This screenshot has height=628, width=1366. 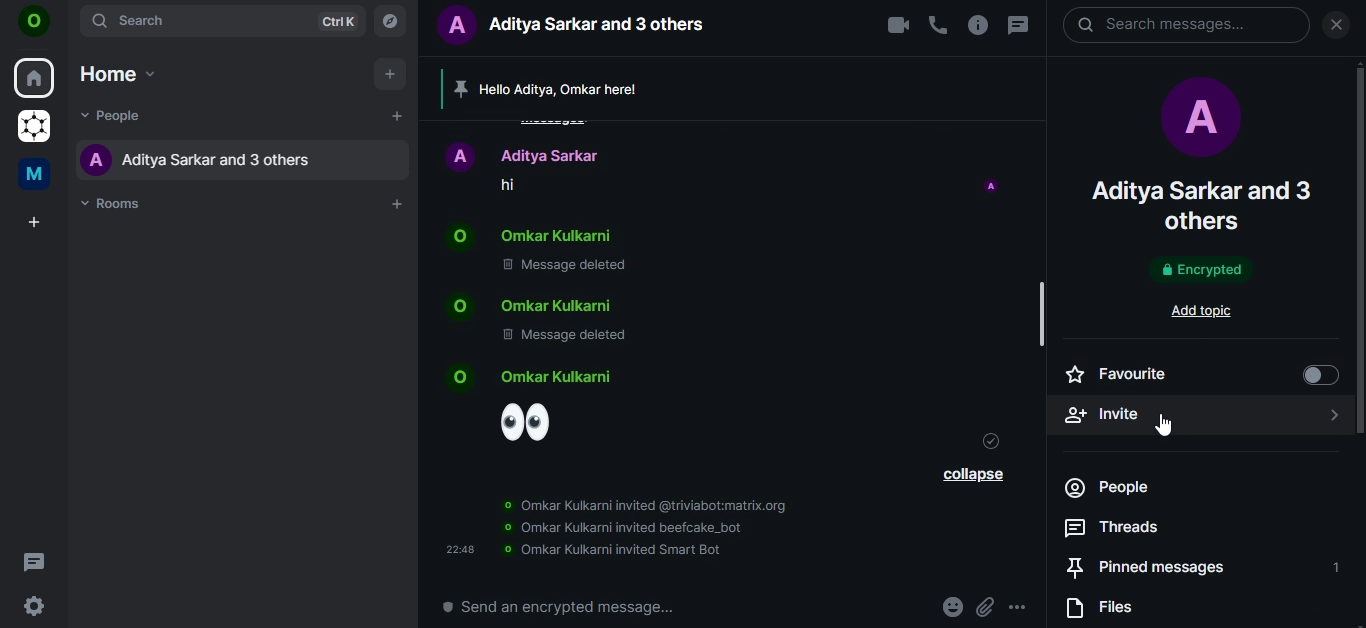 I want to click on bar, so click(x=1045, y=318).